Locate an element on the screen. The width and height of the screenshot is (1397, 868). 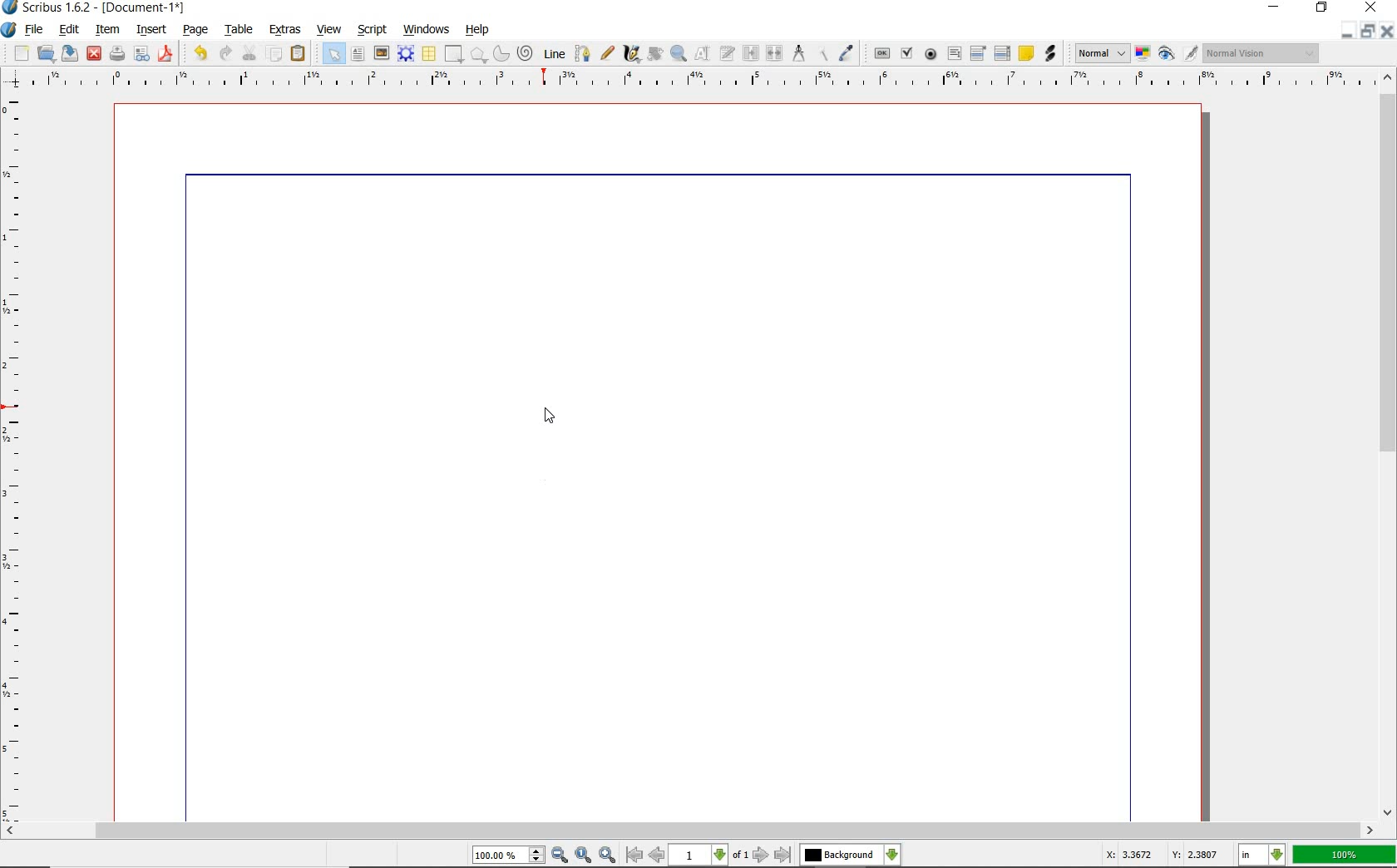
Zoom 100.00% is located at coordinates (508, 856).